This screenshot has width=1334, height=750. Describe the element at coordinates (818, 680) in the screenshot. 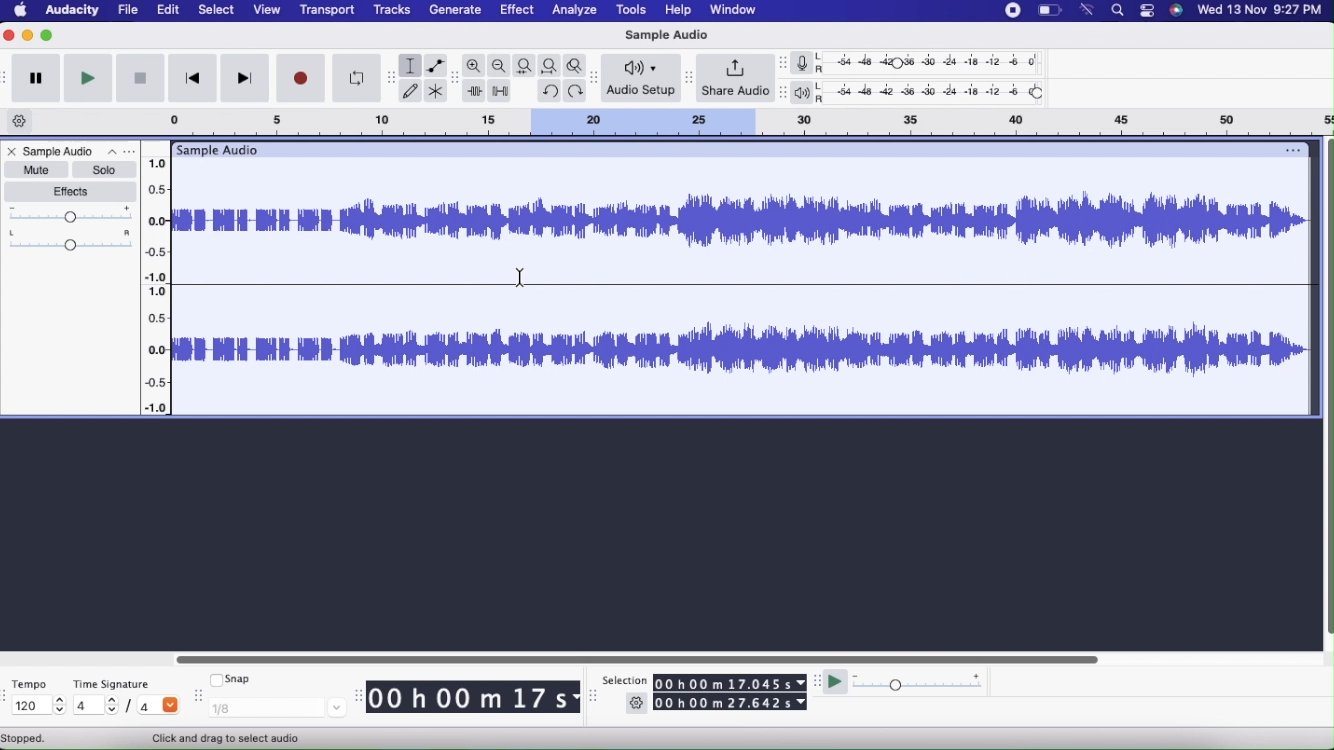

I see `move toolbar` at that location.